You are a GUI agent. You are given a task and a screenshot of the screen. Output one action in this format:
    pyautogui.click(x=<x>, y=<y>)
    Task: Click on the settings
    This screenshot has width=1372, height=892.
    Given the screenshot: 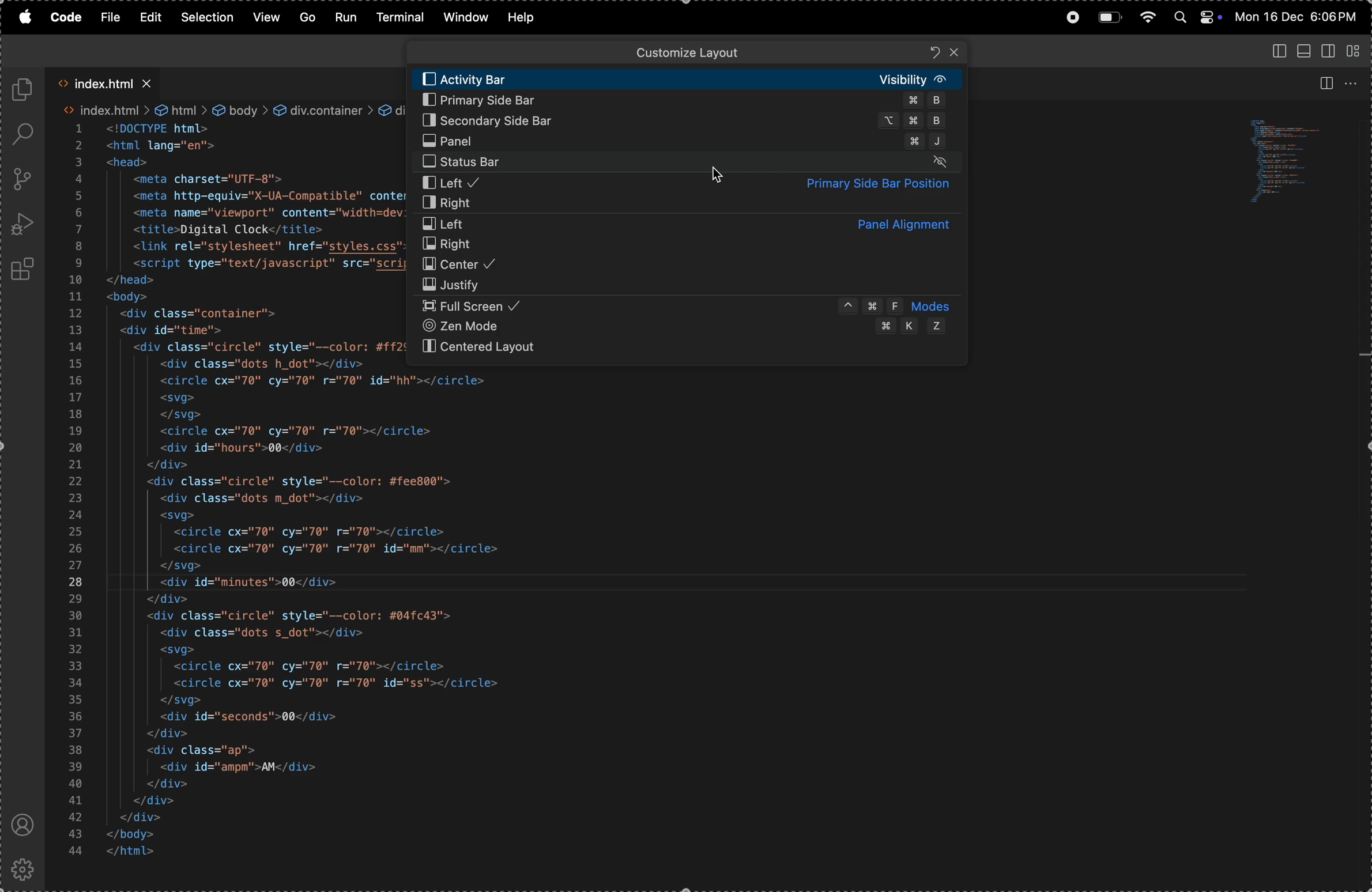 What is the action you would take?
    pyautogui.click(x=26, y=867)
    